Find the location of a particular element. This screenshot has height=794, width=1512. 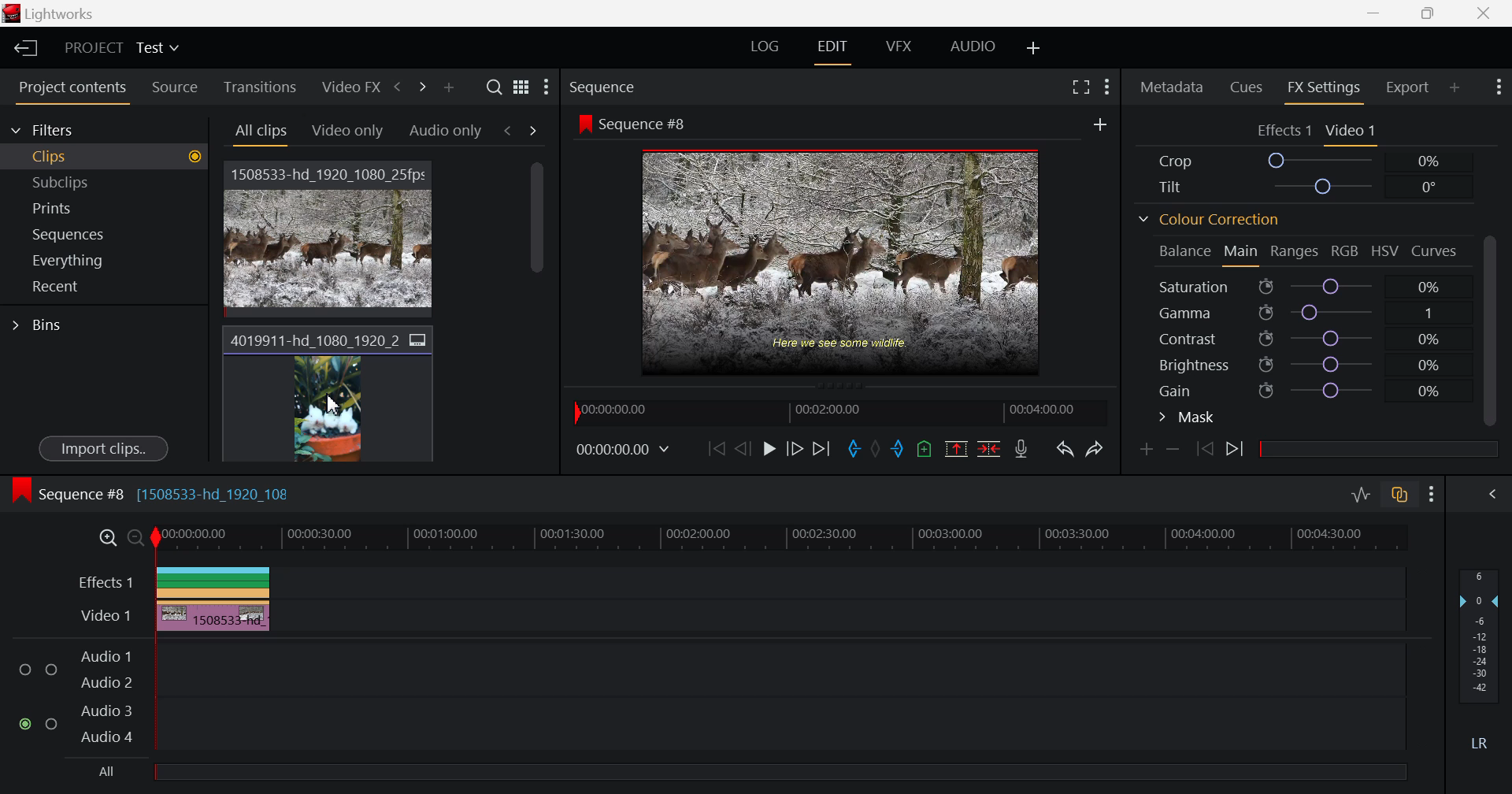

Crop is located at coordinates (1304, 161).